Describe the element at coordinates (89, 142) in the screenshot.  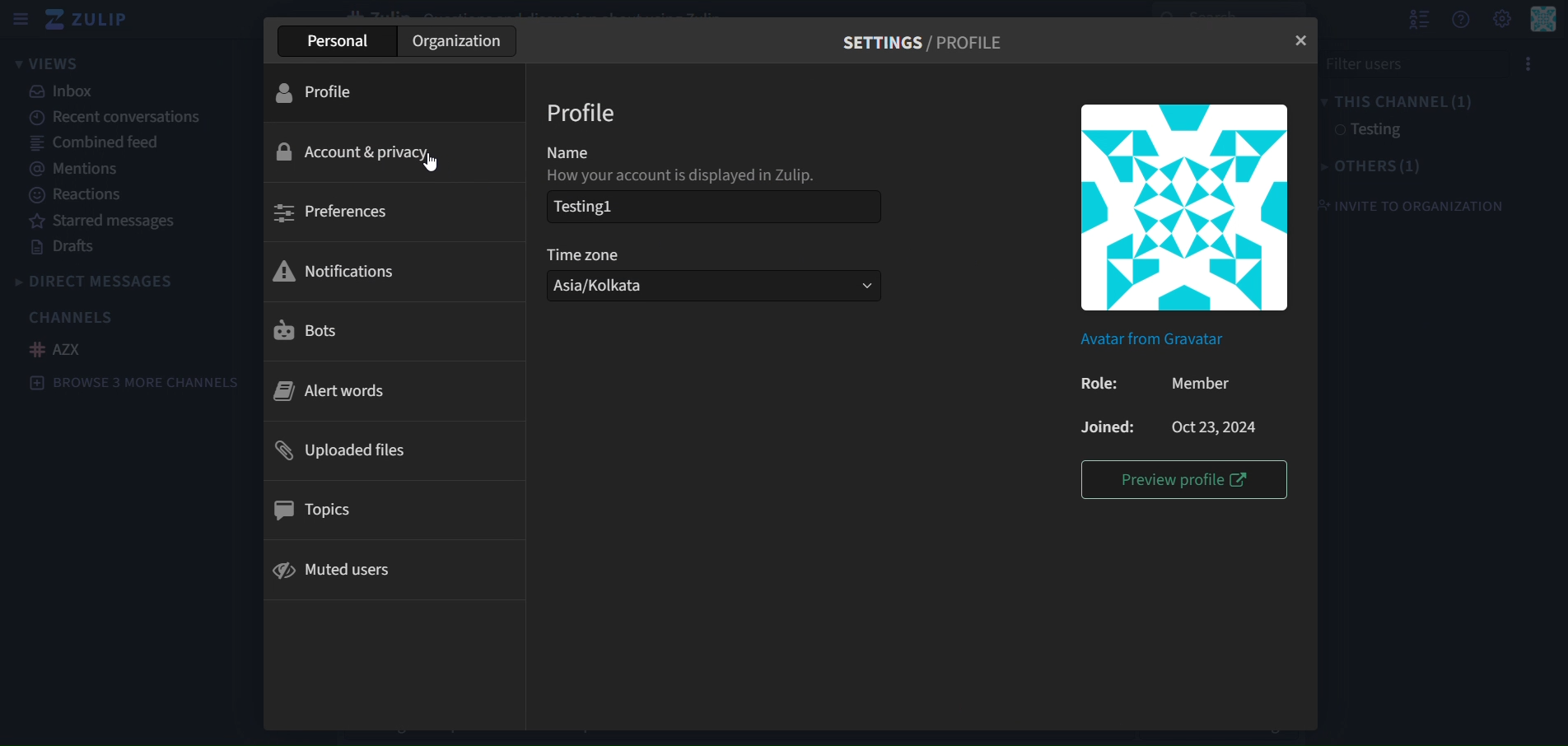
I see `combined feed` at that location.